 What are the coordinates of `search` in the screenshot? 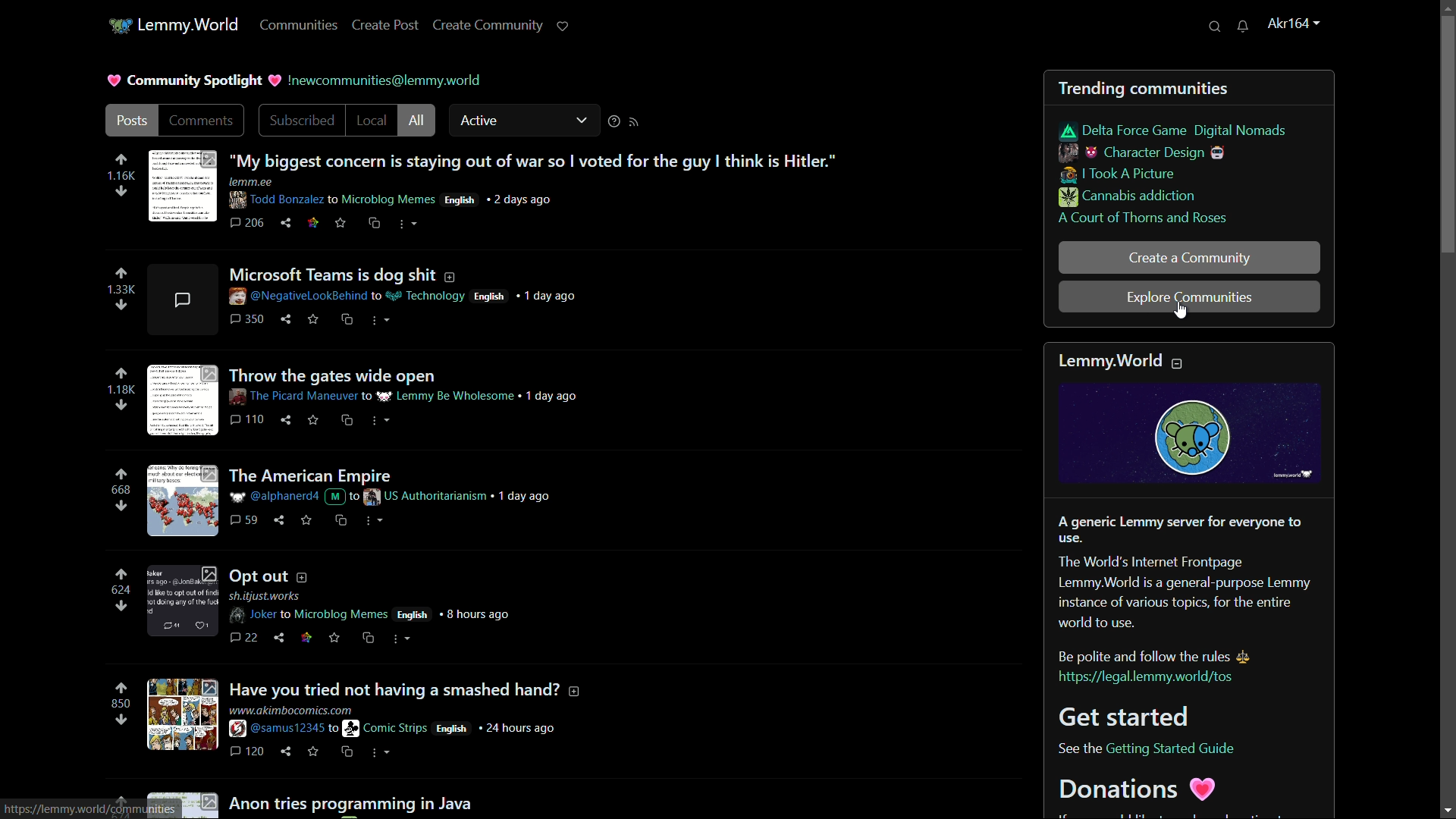 It's located at (1216, 27).